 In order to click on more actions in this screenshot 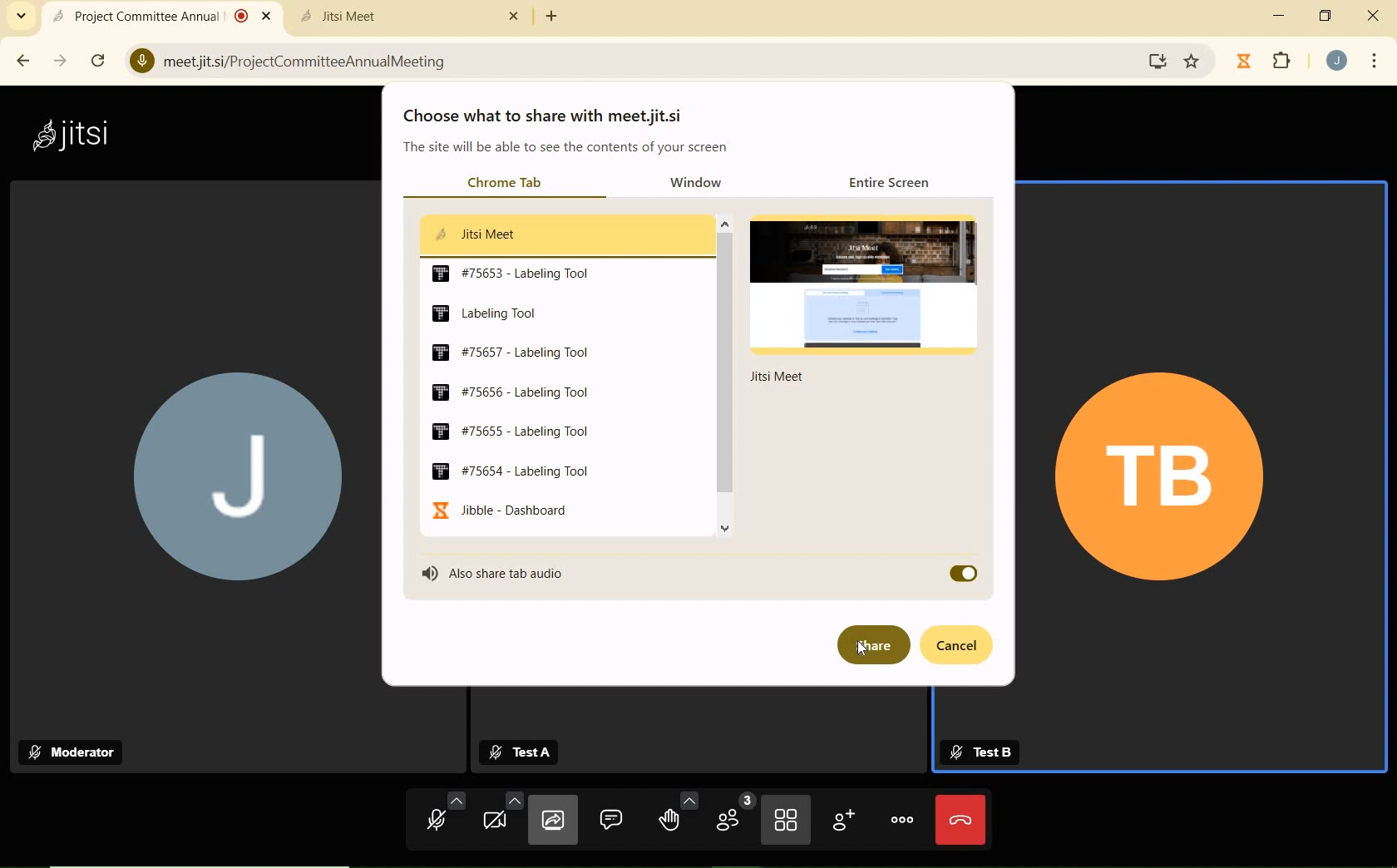, I will do `click(902, 819)`.